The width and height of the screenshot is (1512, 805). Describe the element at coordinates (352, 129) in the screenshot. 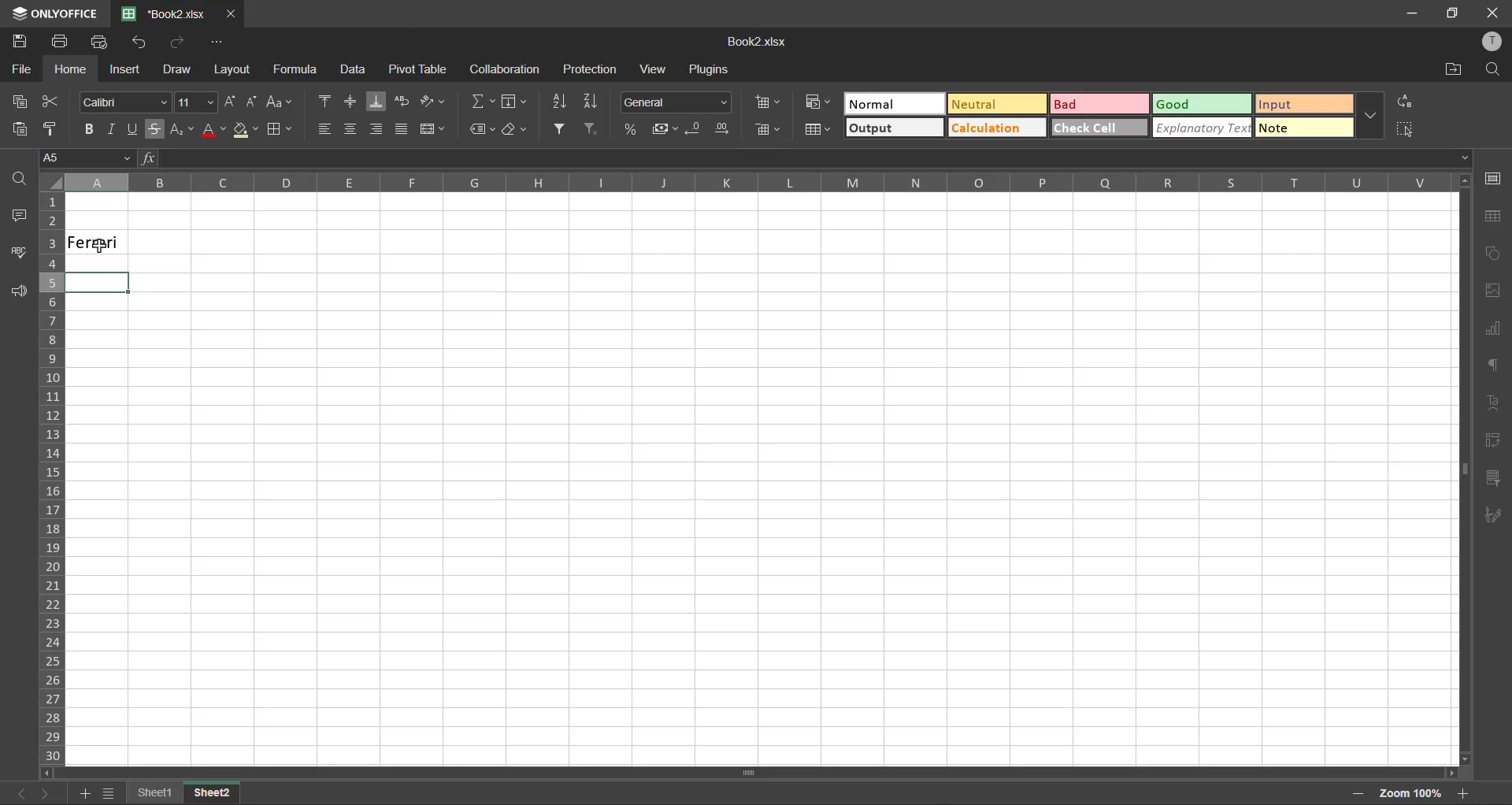

I see `align center` at that location.